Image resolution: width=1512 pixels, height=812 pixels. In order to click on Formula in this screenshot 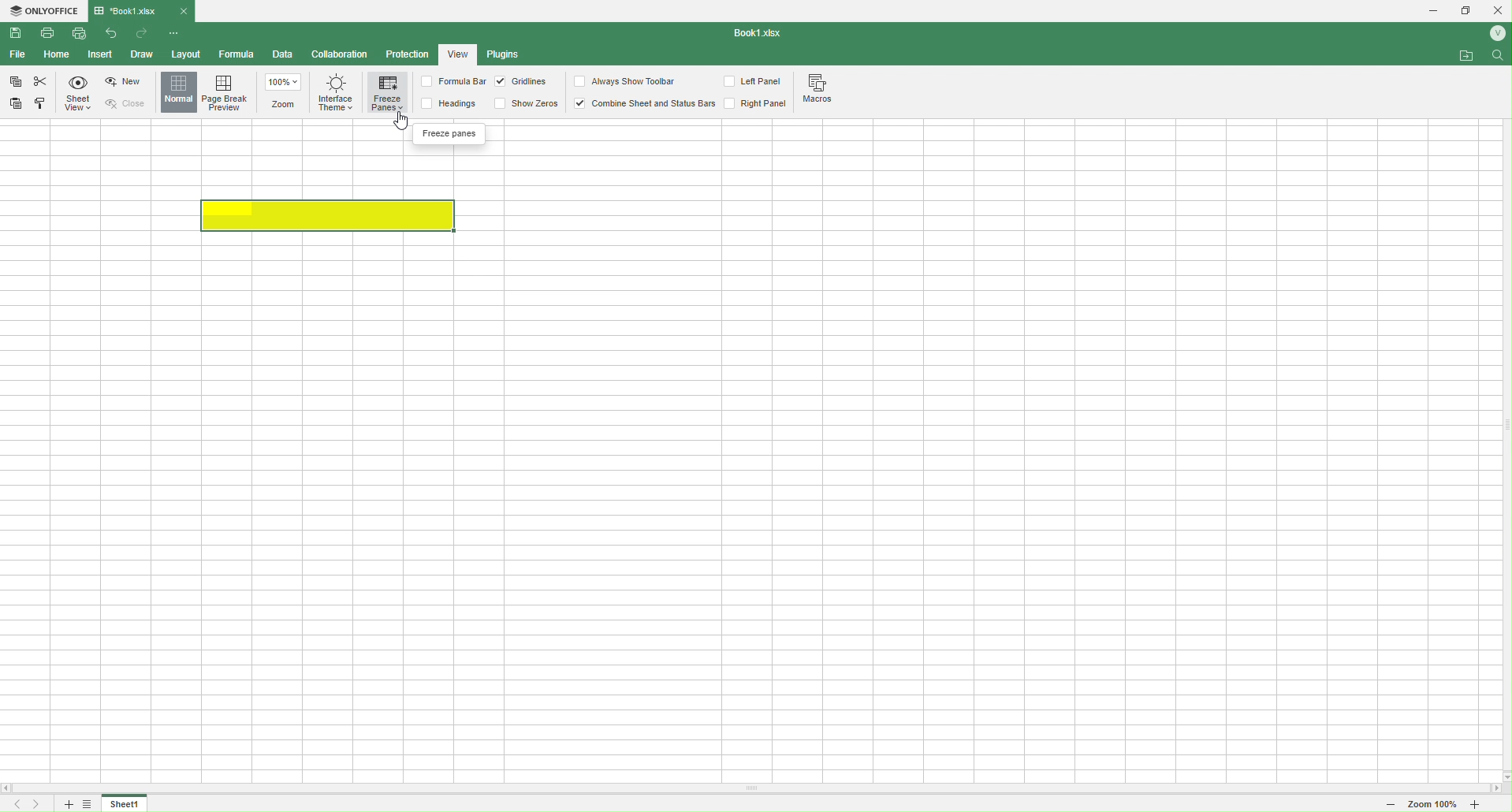, I will do `click(237, 54)`.